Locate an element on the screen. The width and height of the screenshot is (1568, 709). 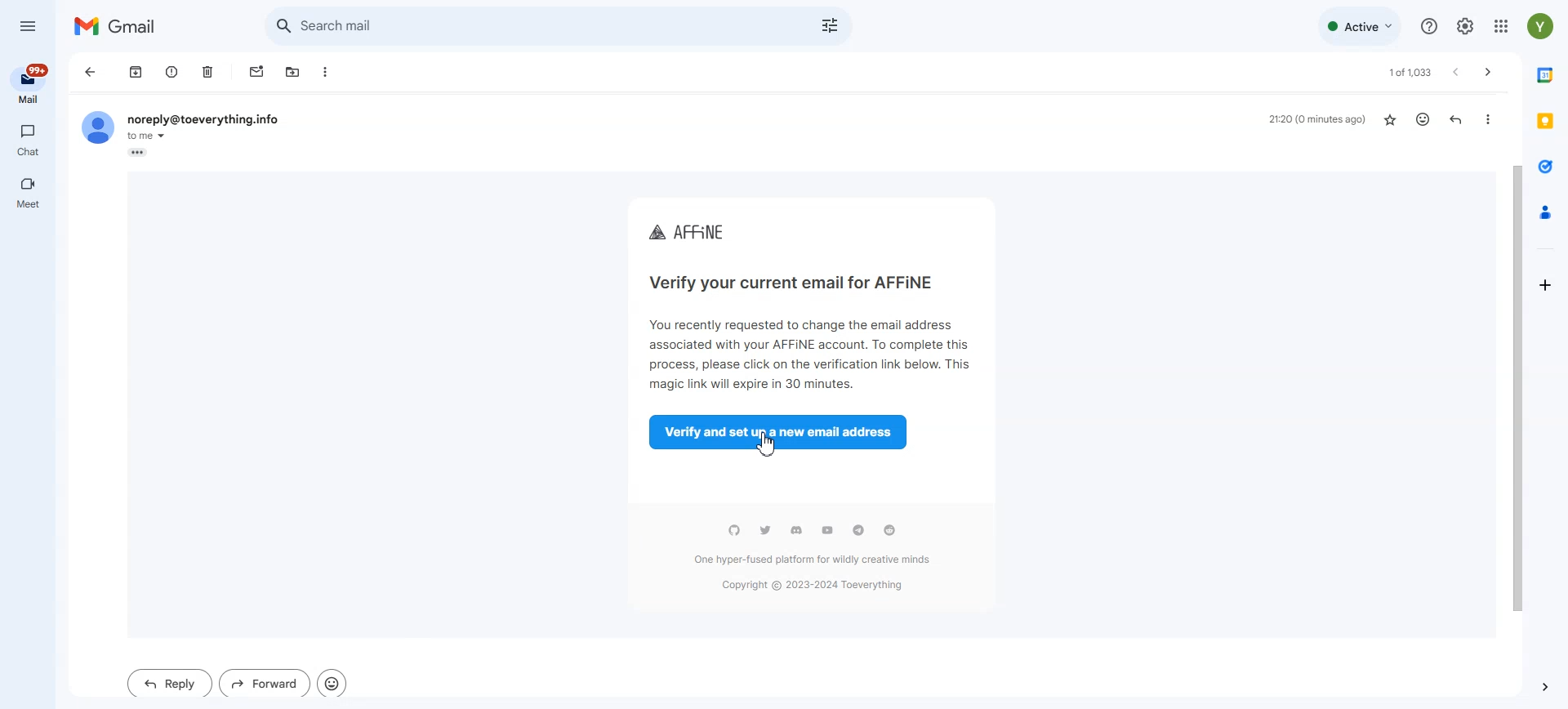
Contacts is located at coordinates (1545, 212).